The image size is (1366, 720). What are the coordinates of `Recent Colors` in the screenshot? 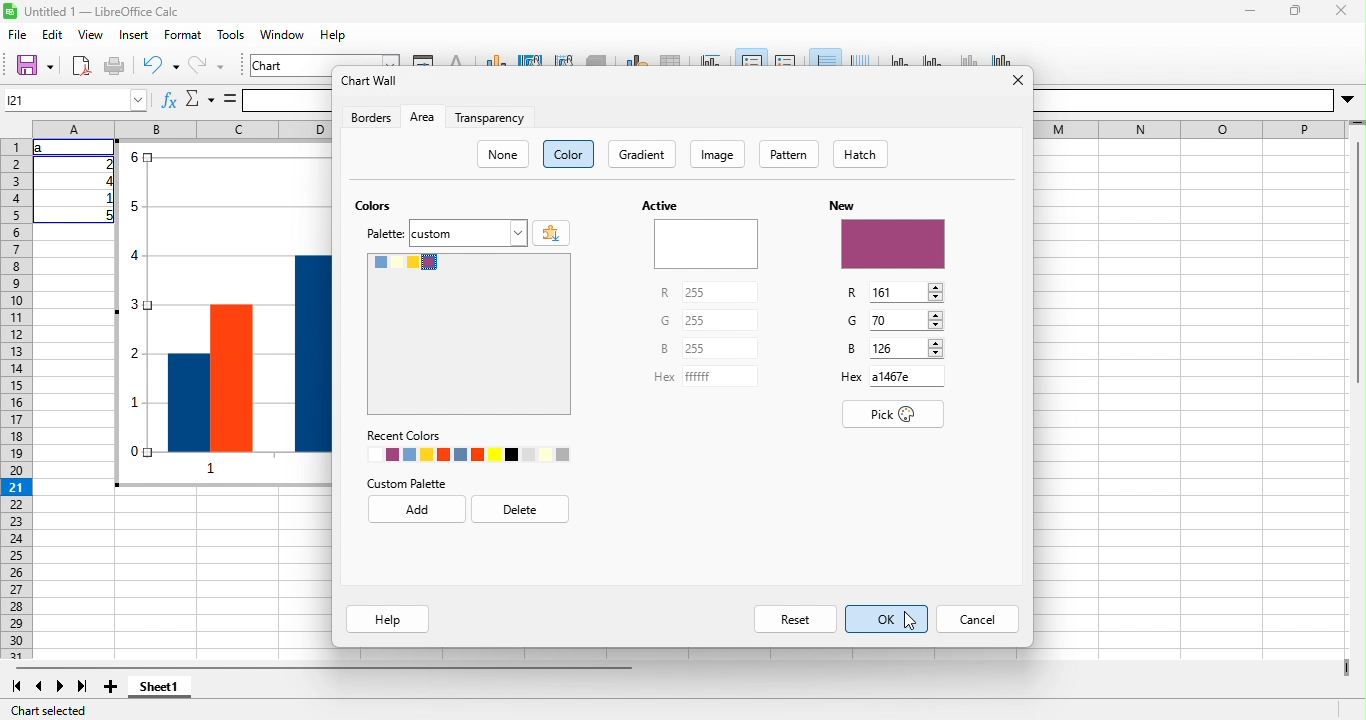 It's located at (404, 436).